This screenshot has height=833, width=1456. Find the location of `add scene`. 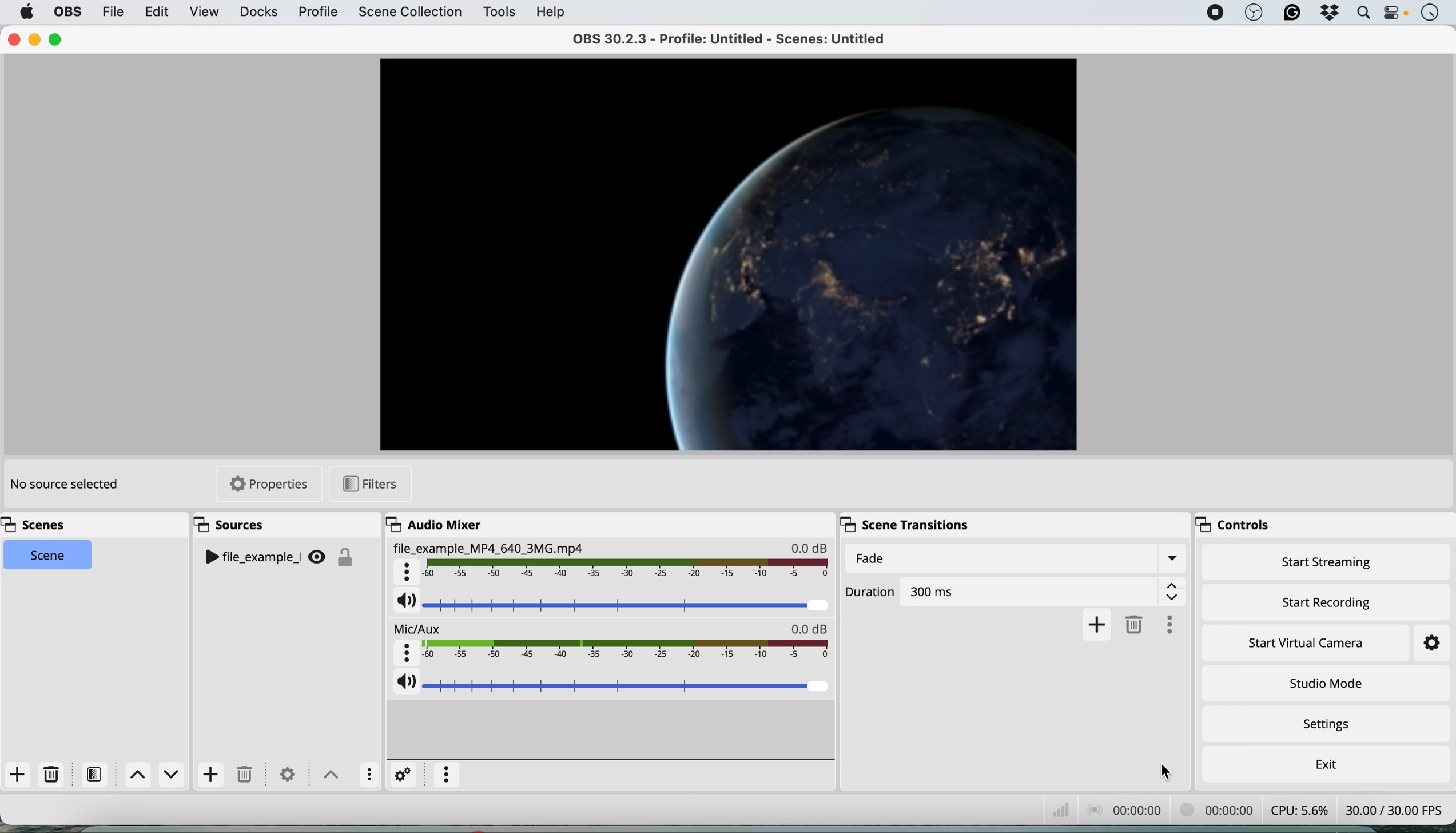

add scene is located at coordinates (18, 775).